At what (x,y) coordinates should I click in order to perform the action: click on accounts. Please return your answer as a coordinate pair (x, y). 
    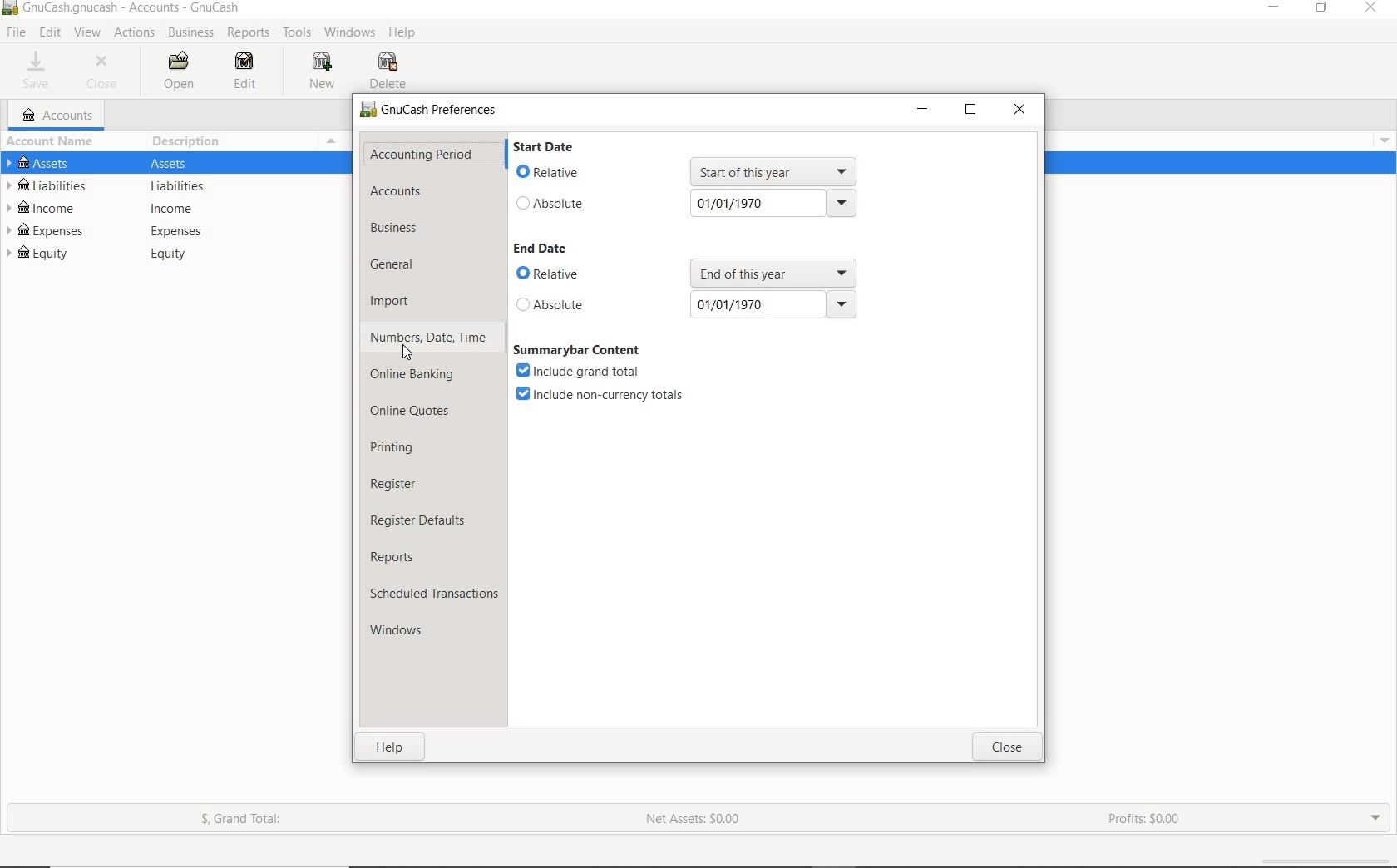
    Looking at the image, I should click on (417, 193).